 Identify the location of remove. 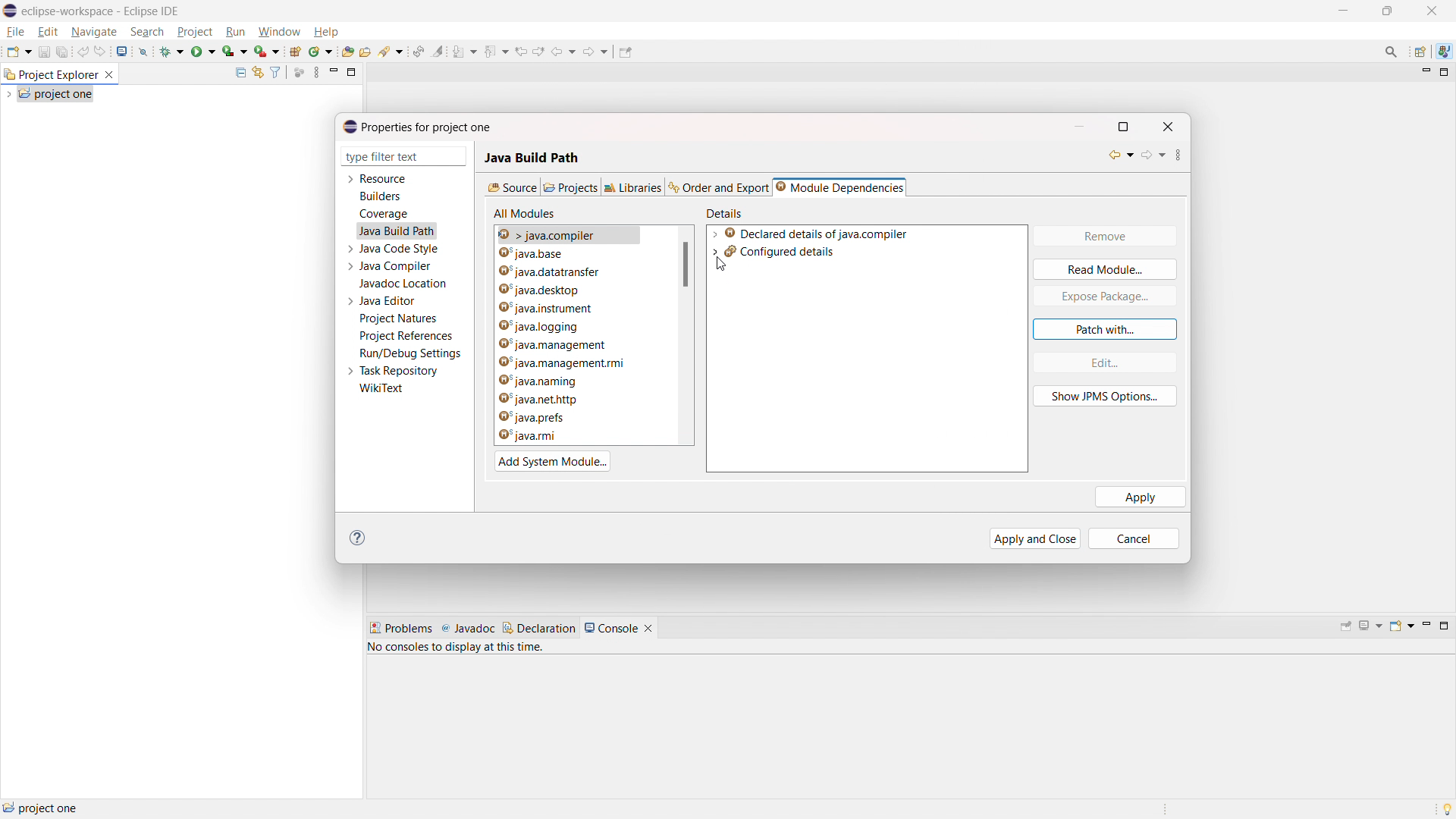
(1104, 237).